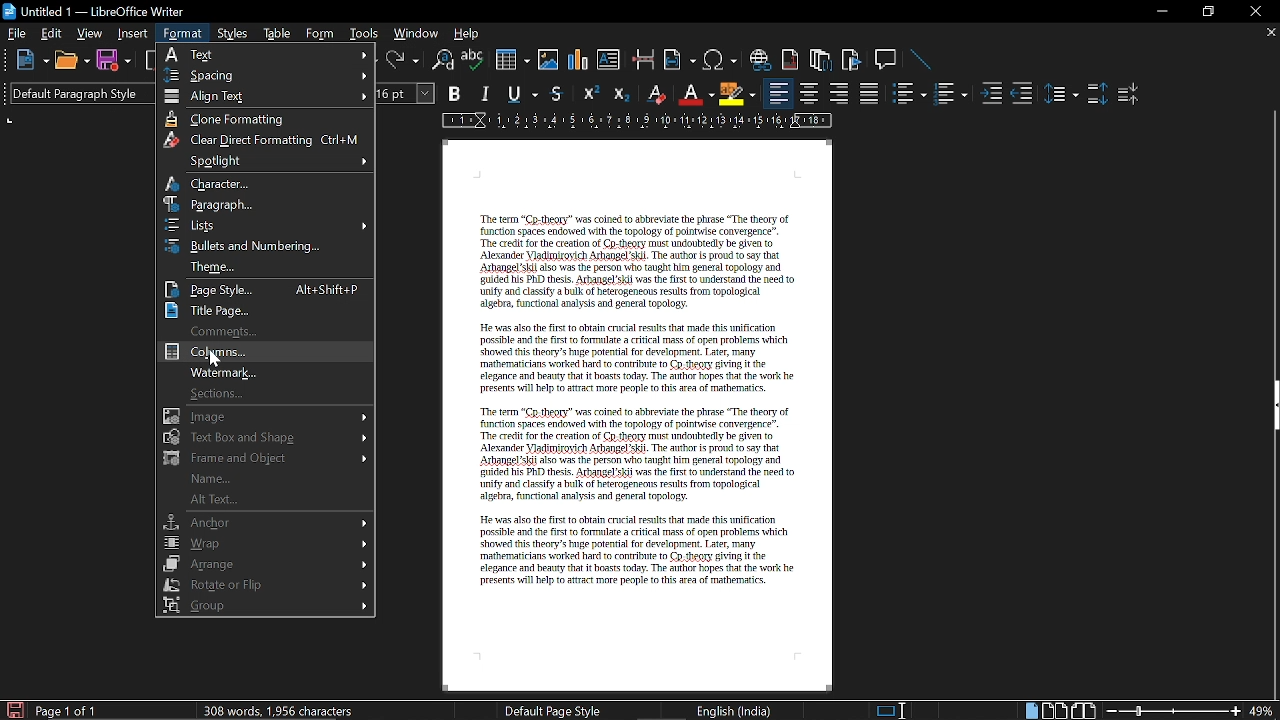 This screenshot has height=720, width=1280. What do you see at coordinates (888, 60) in the screenshot?
I see `Insert comment` at bounding box center [888, 60].